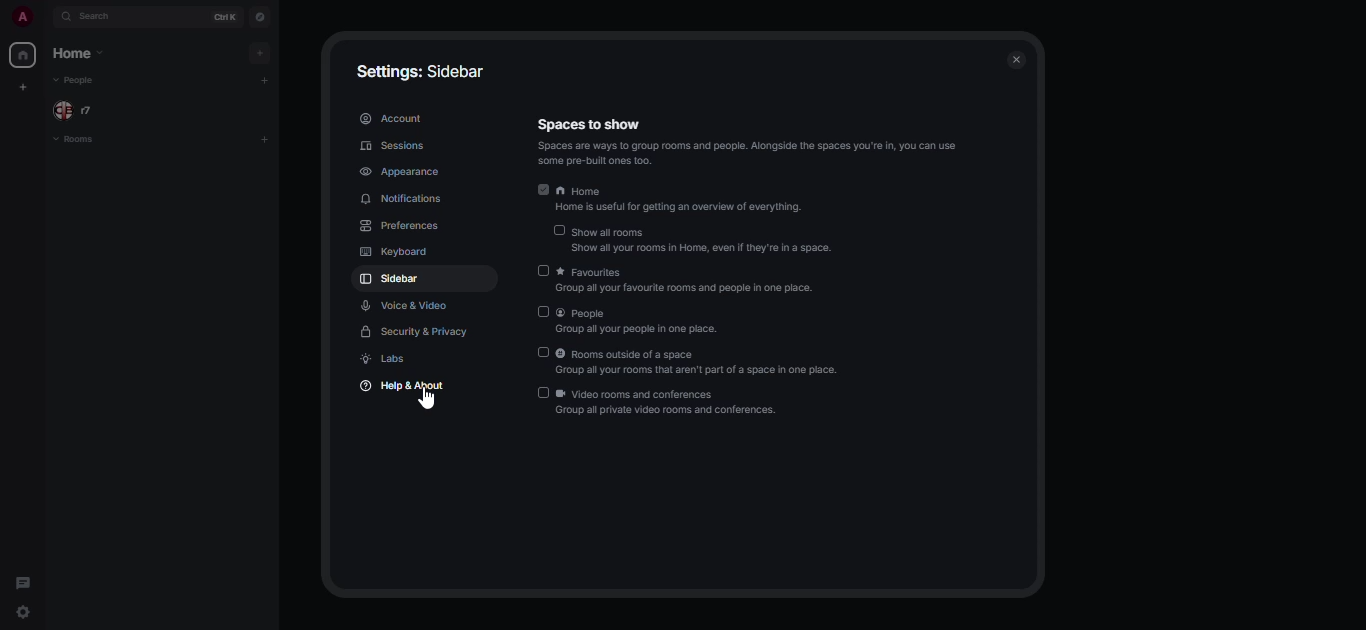 This screenshot has width=1366, height=630. I want to click on security & privacy, so click(419, 332).